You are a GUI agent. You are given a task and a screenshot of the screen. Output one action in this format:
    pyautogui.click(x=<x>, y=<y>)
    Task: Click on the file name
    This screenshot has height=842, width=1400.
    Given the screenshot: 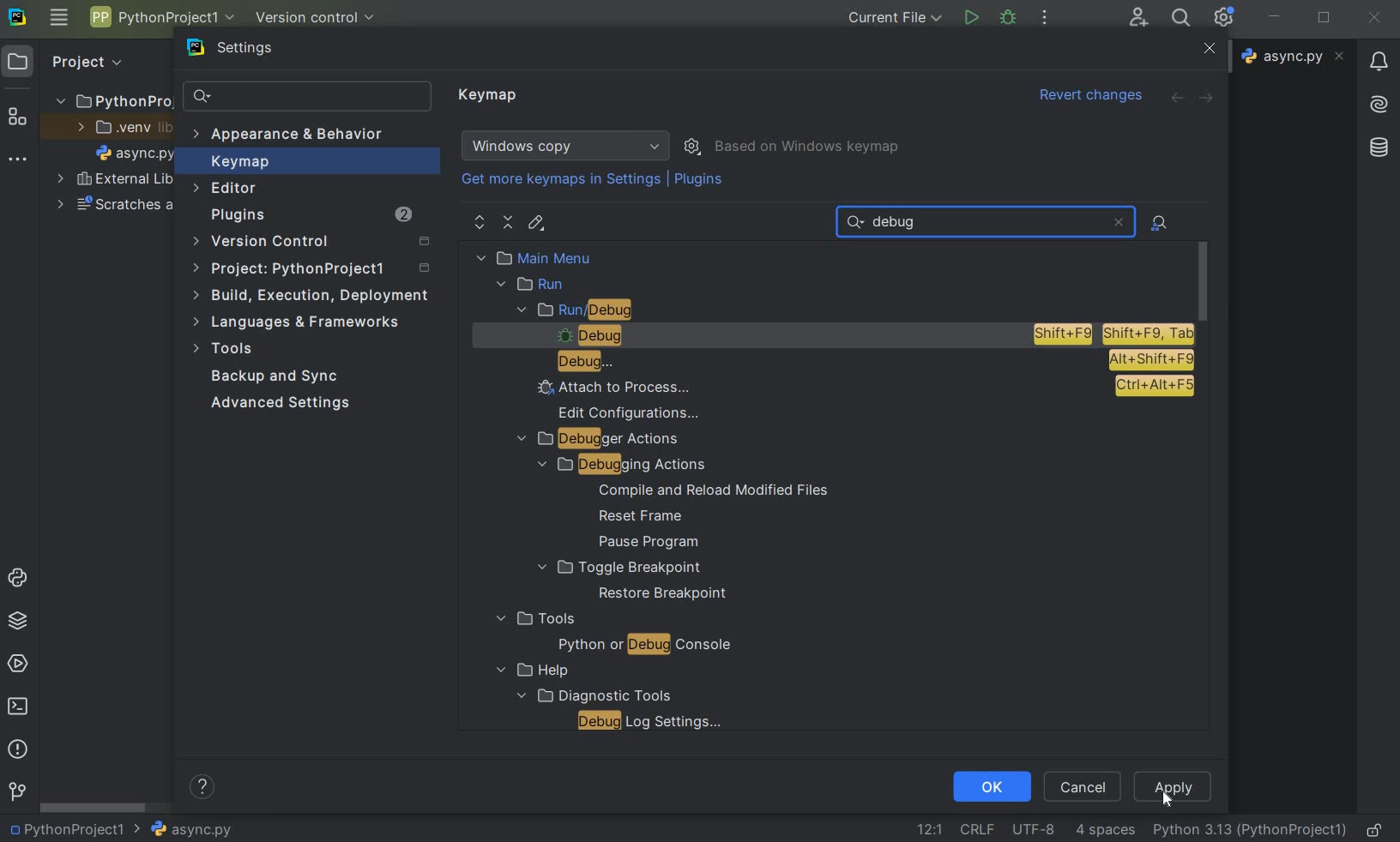 What is the action you would take?
    pyautogui.click(x=136, y=156)
    